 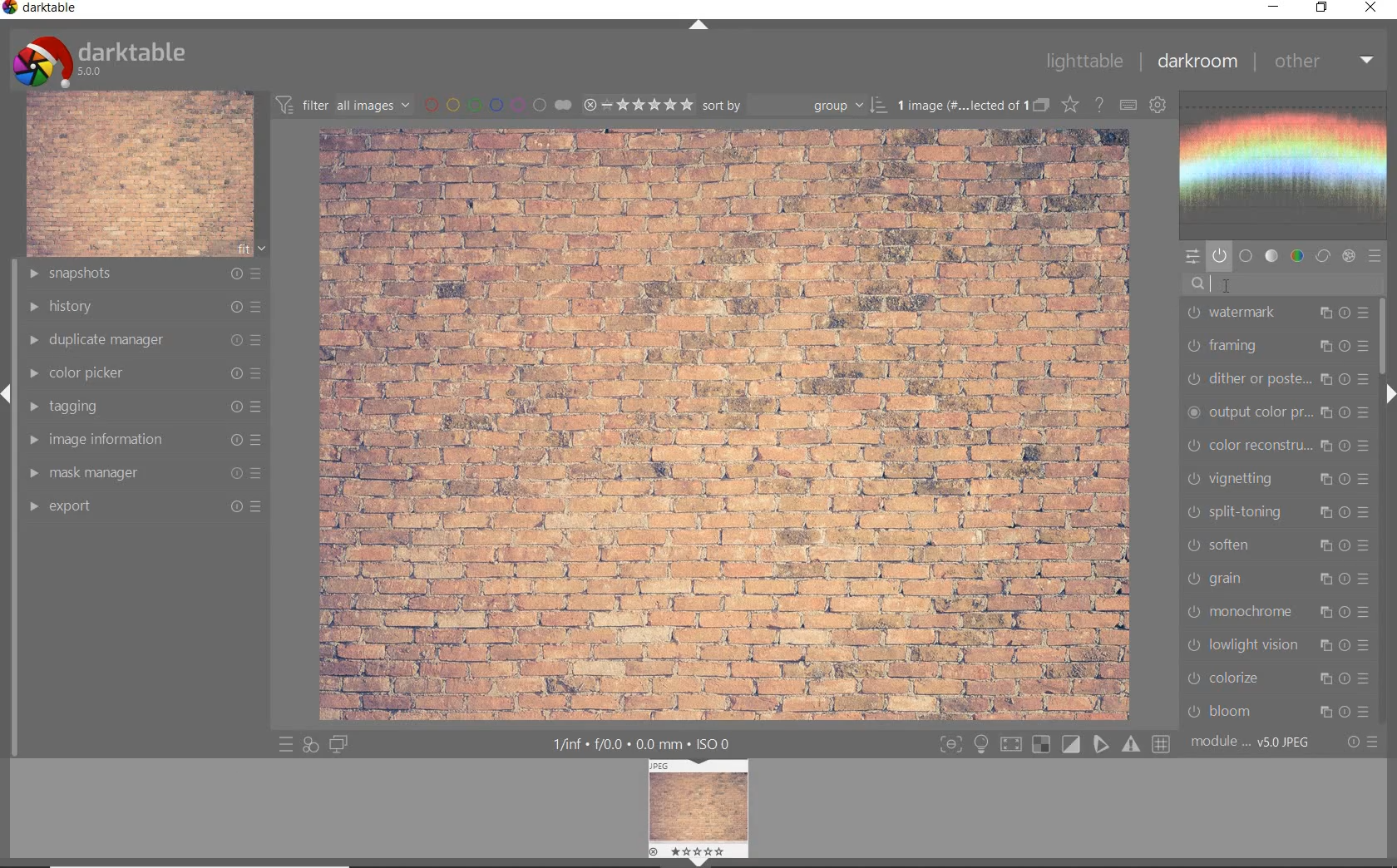 What do you see at coordinates (8, 402) in the screenshot?
I see `previous` at bounding box center [8, 402].